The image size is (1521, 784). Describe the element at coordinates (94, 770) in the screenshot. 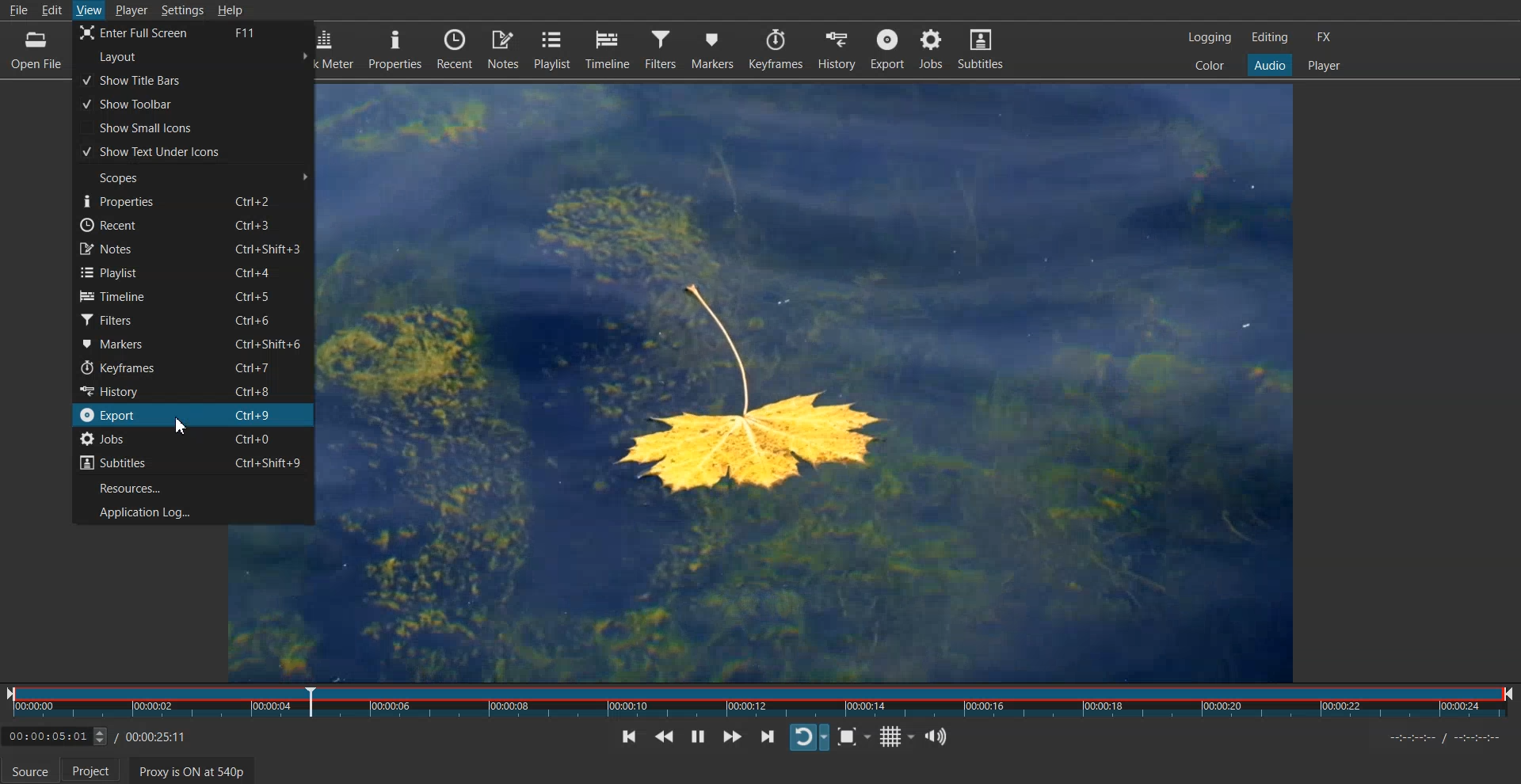

I see `Project` at that location.